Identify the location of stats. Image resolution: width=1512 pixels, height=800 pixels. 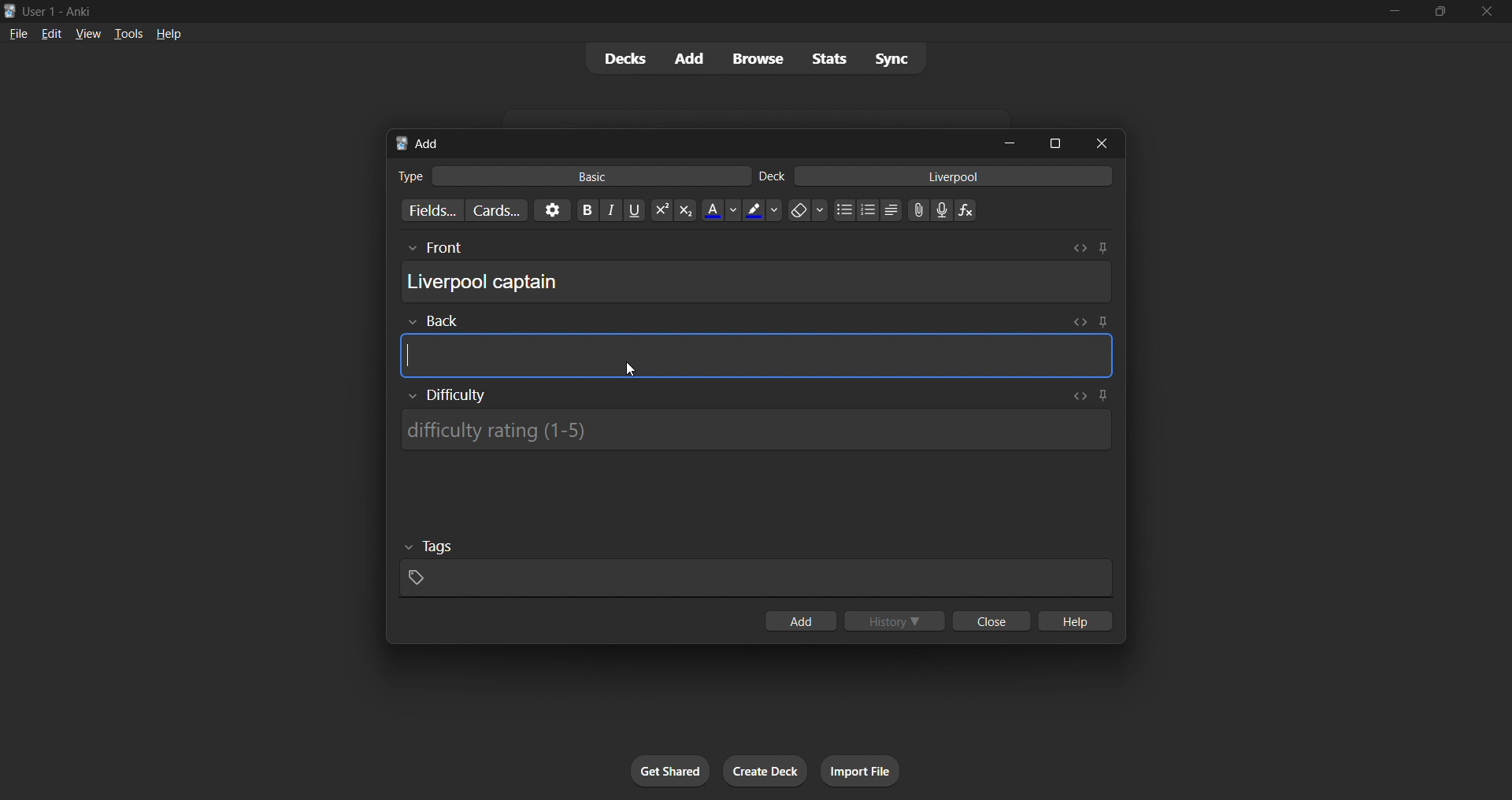
(828, 58).